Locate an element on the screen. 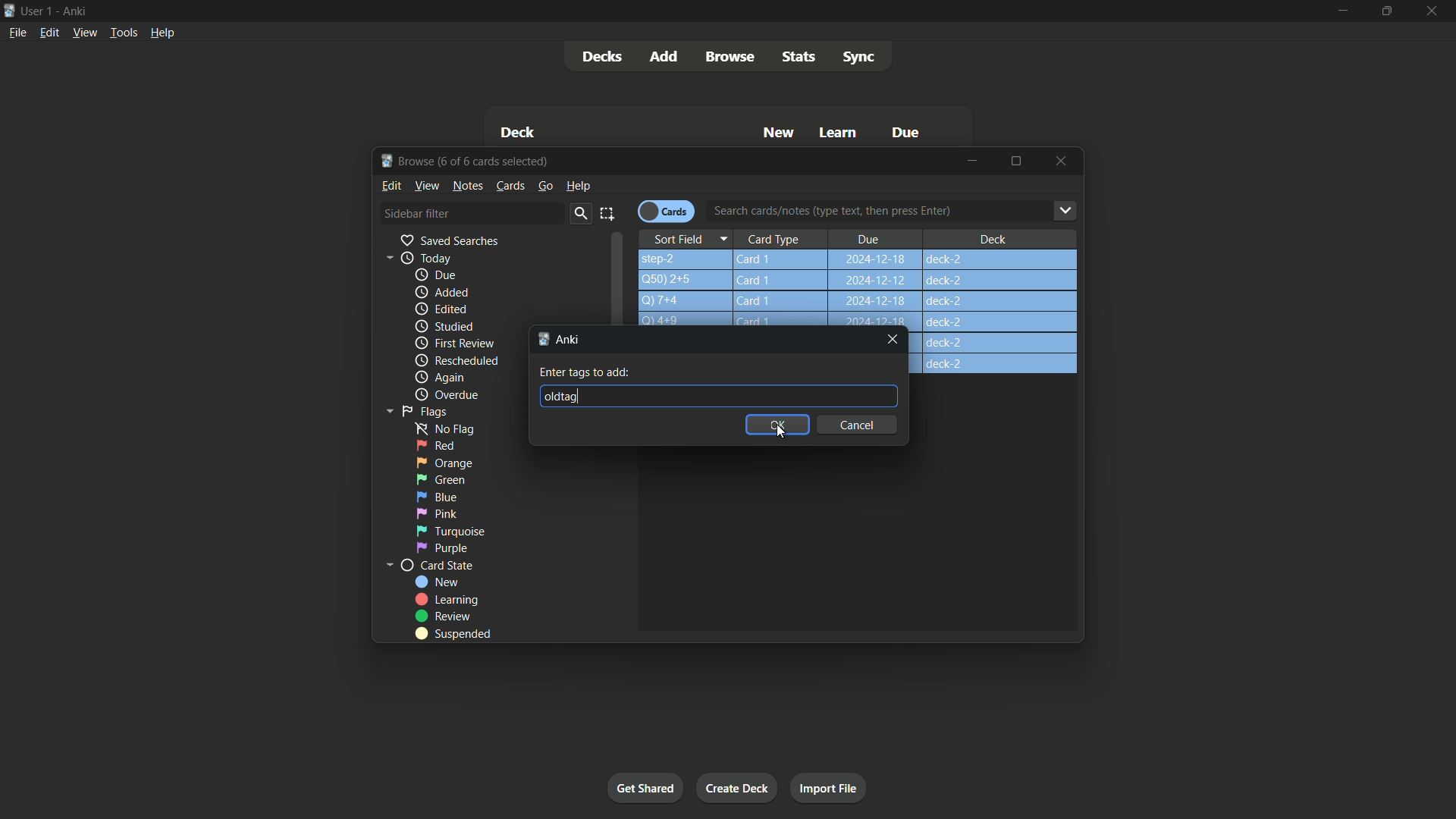 The image size is (1456, 819). Suspended is located at coordinates (453, 635).